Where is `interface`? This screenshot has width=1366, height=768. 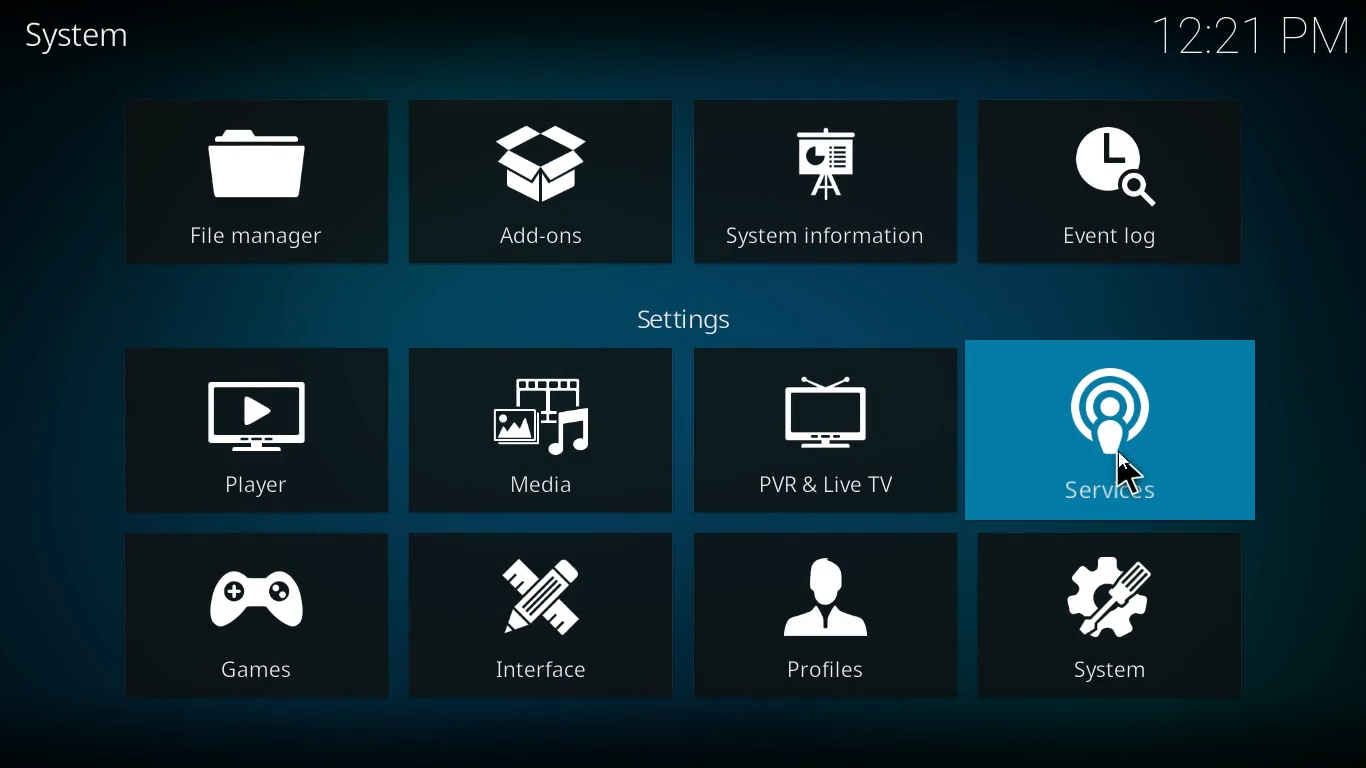 interface is located at coordinates (540, 622).